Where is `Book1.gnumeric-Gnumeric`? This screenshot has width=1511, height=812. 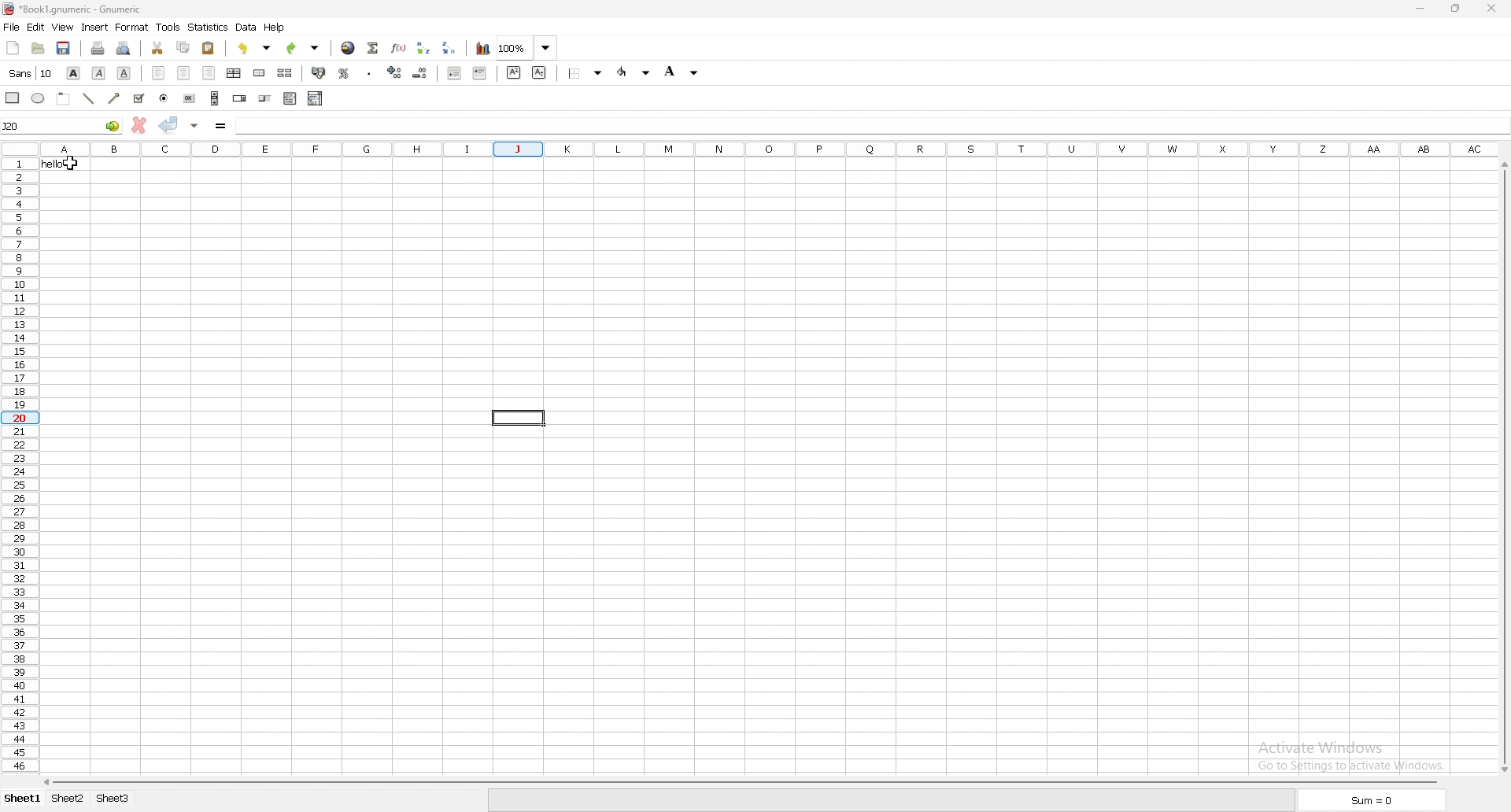 Book1.gnumeric-Gnumeric is located at coordinates (76, 9).